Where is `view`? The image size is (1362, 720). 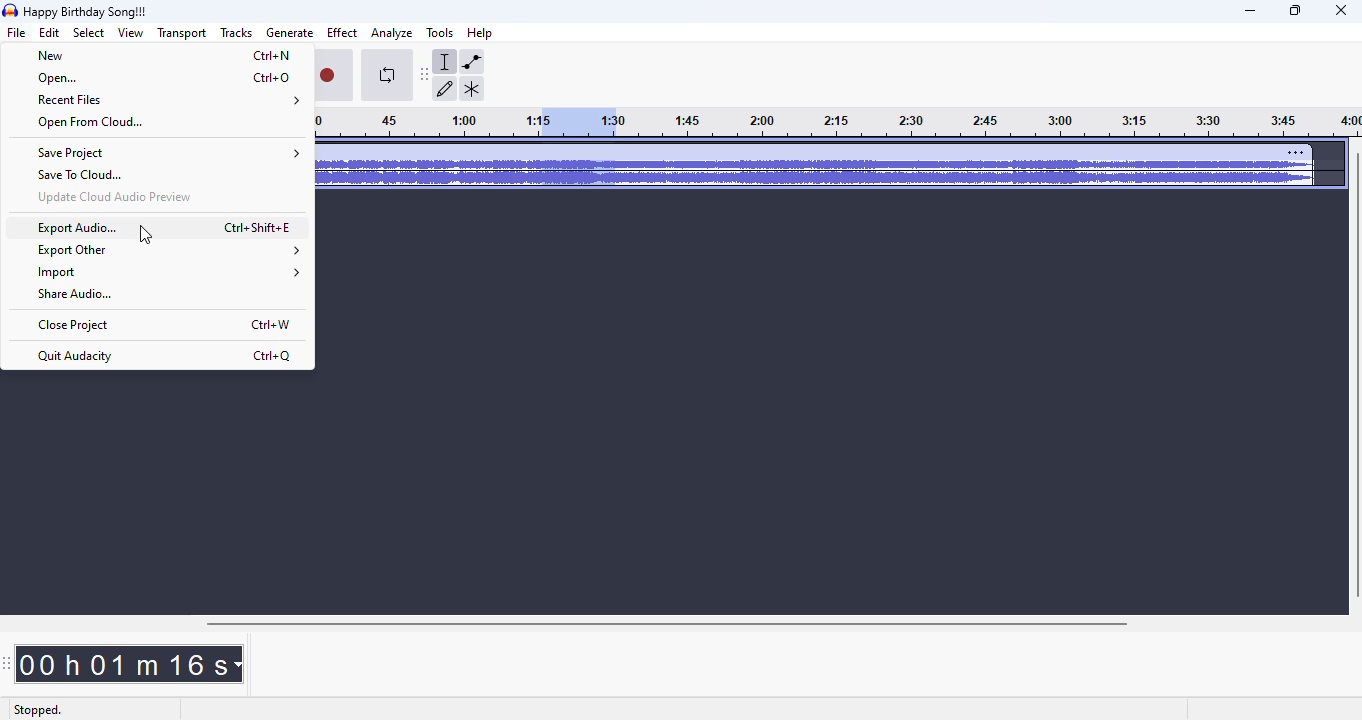
view is located at coordinates (129, 33).